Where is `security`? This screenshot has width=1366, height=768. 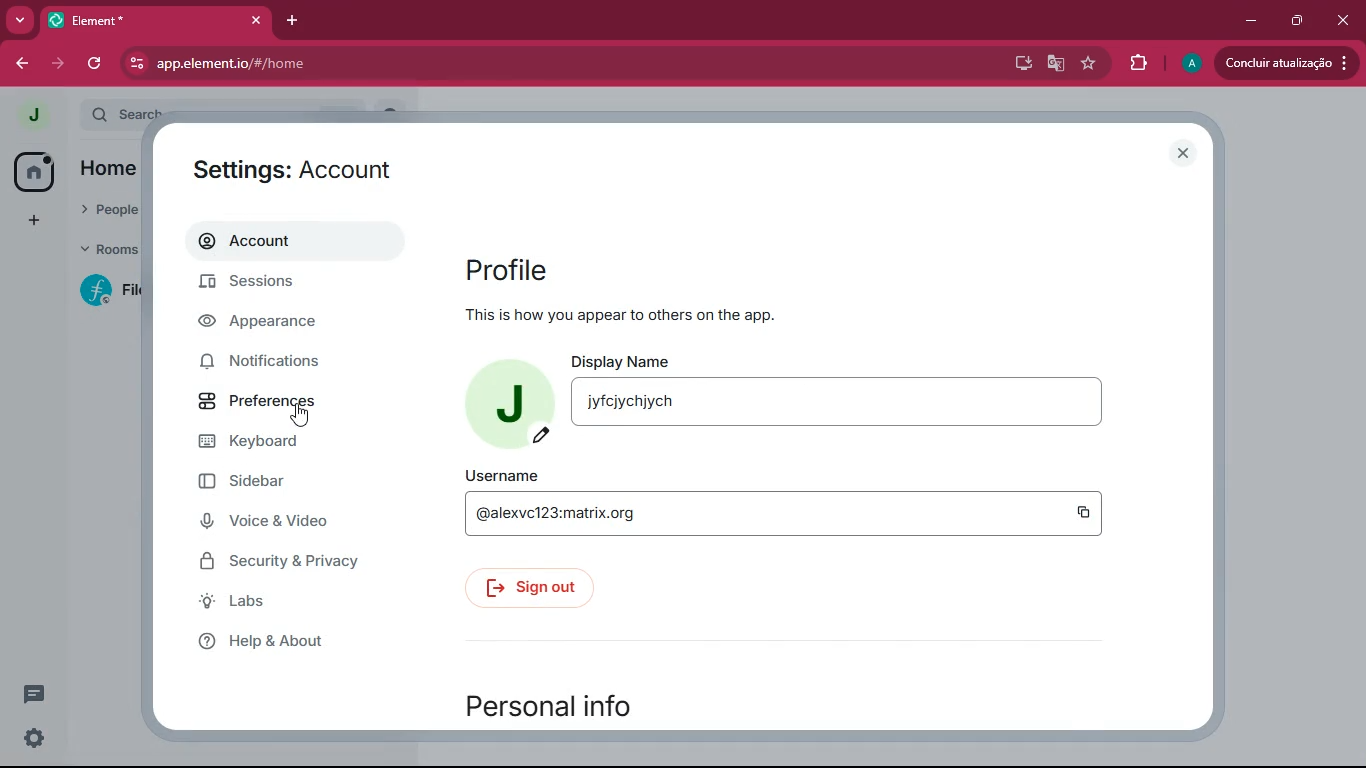
security is located at coordinates (292, 563).